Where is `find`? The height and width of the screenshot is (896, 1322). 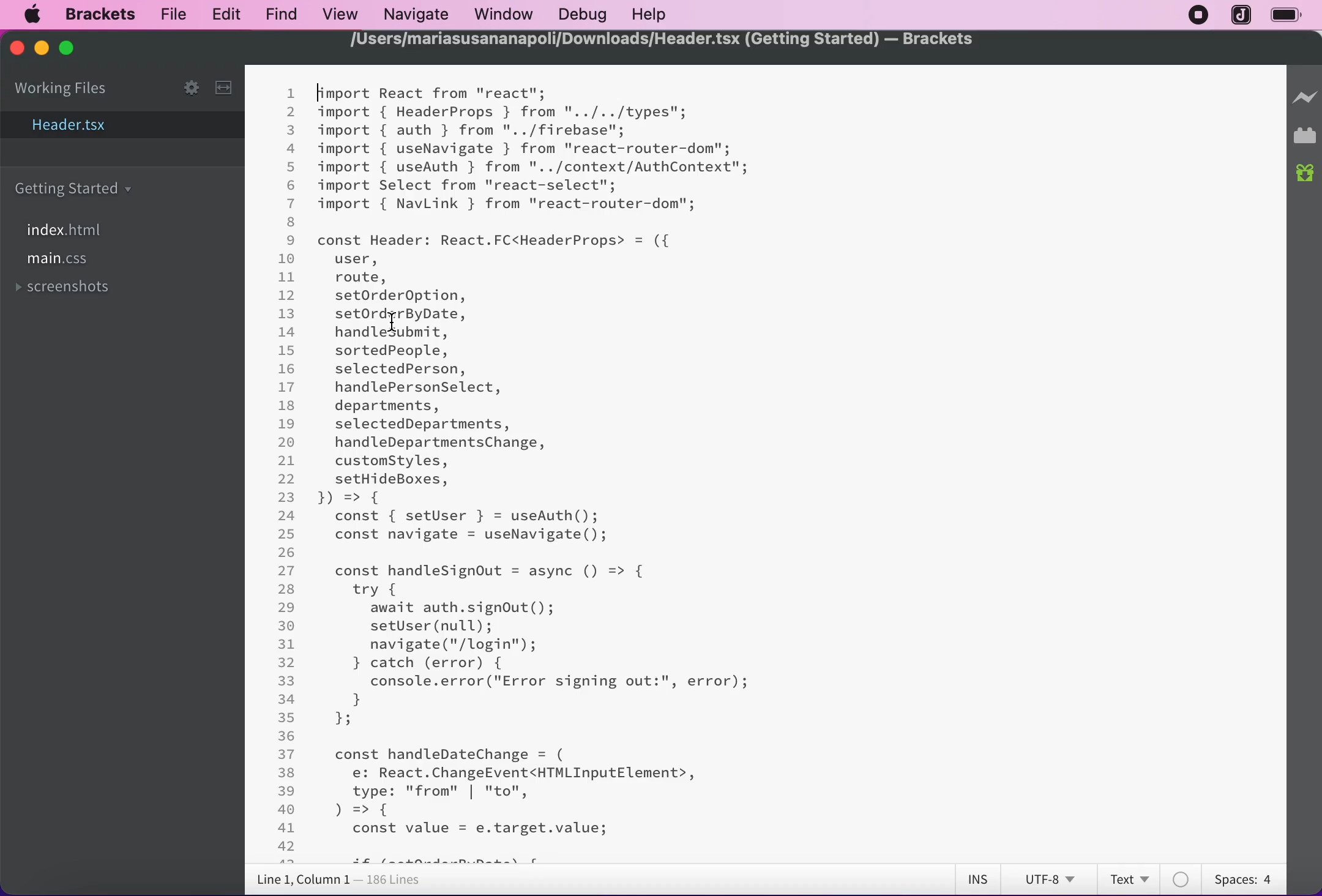 find is located at coordinates (275, 15).